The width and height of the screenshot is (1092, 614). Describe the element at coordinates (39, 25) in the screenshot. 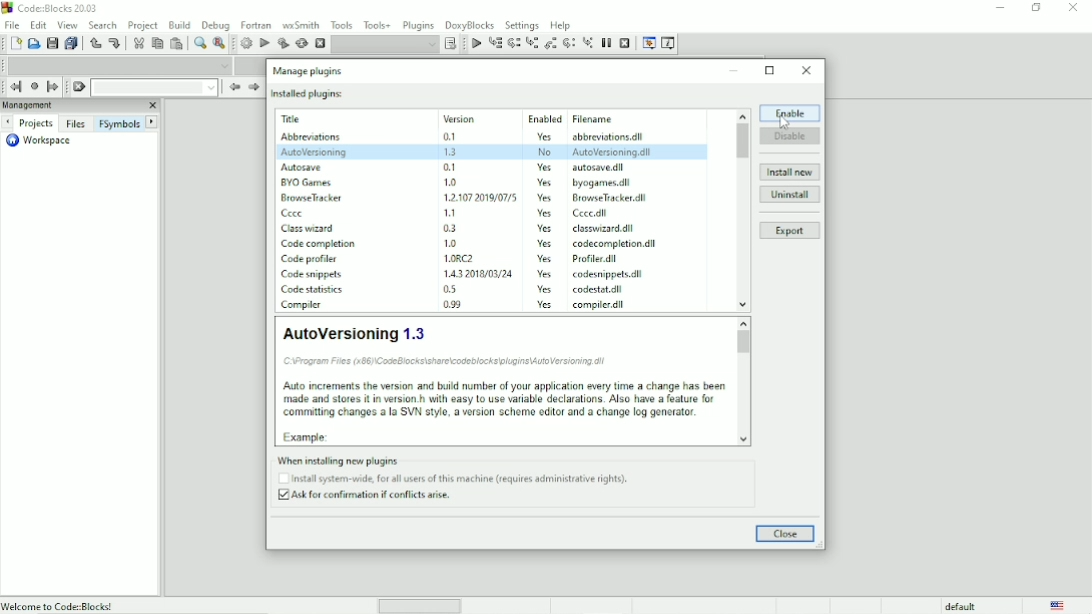

I see `Edit` at that location.